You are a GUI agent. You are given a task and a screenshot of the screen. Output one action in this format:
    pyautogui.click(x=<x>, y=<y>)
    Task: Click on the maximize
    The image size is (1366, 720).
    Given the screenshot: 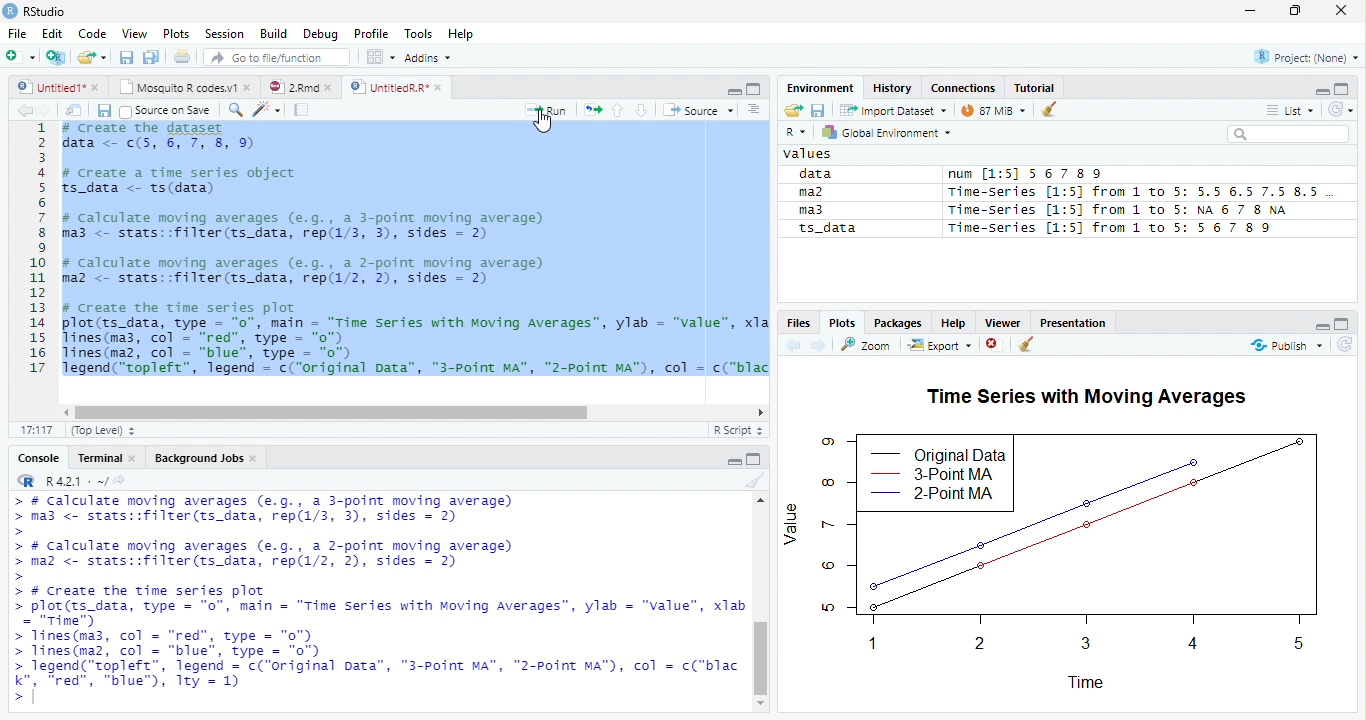 What is the action you would take?
    pyautogui.click(x=1295, y=11)
    